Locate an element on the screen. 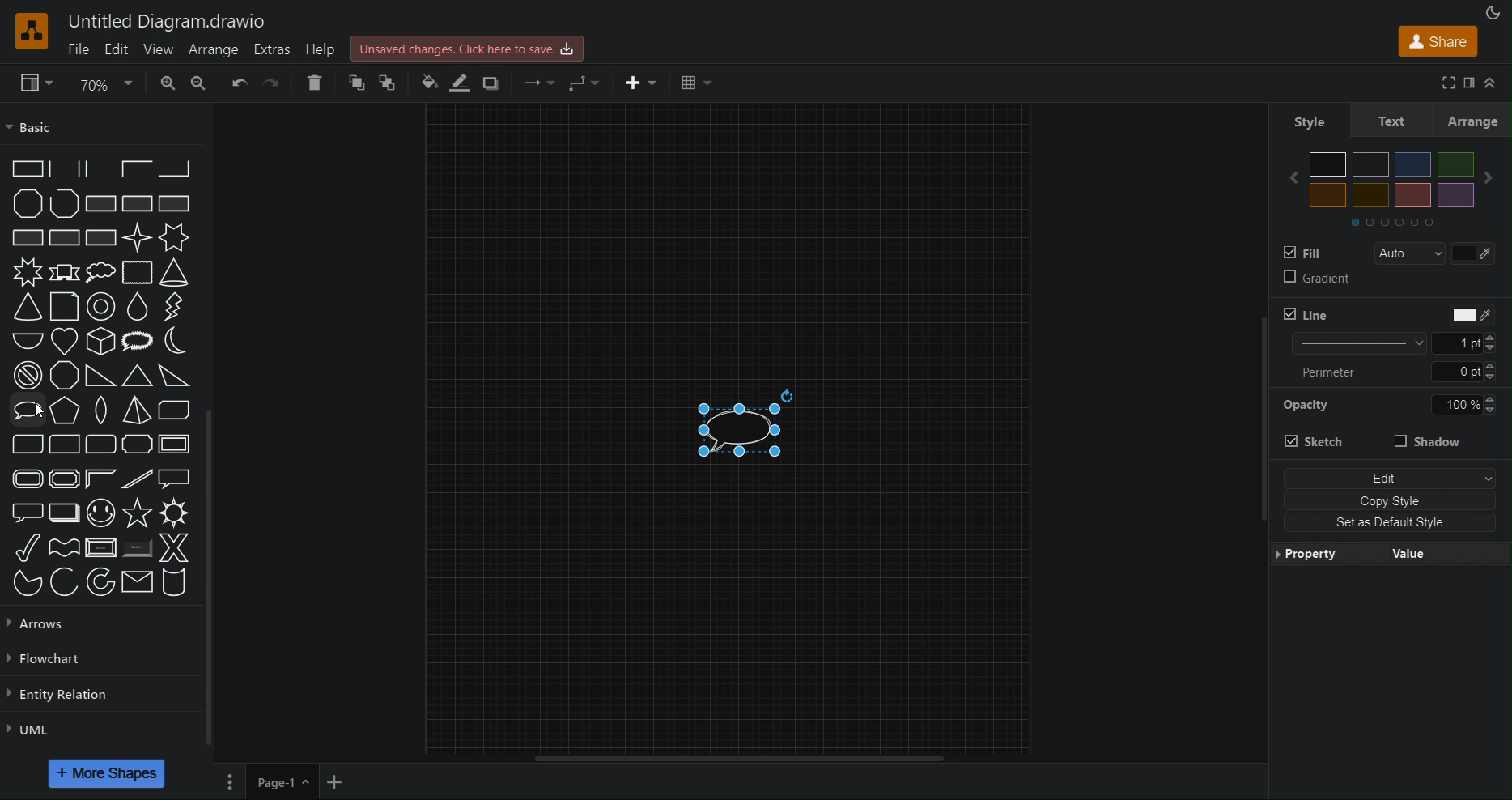  Pentagon is located at coordinates (65, 410).